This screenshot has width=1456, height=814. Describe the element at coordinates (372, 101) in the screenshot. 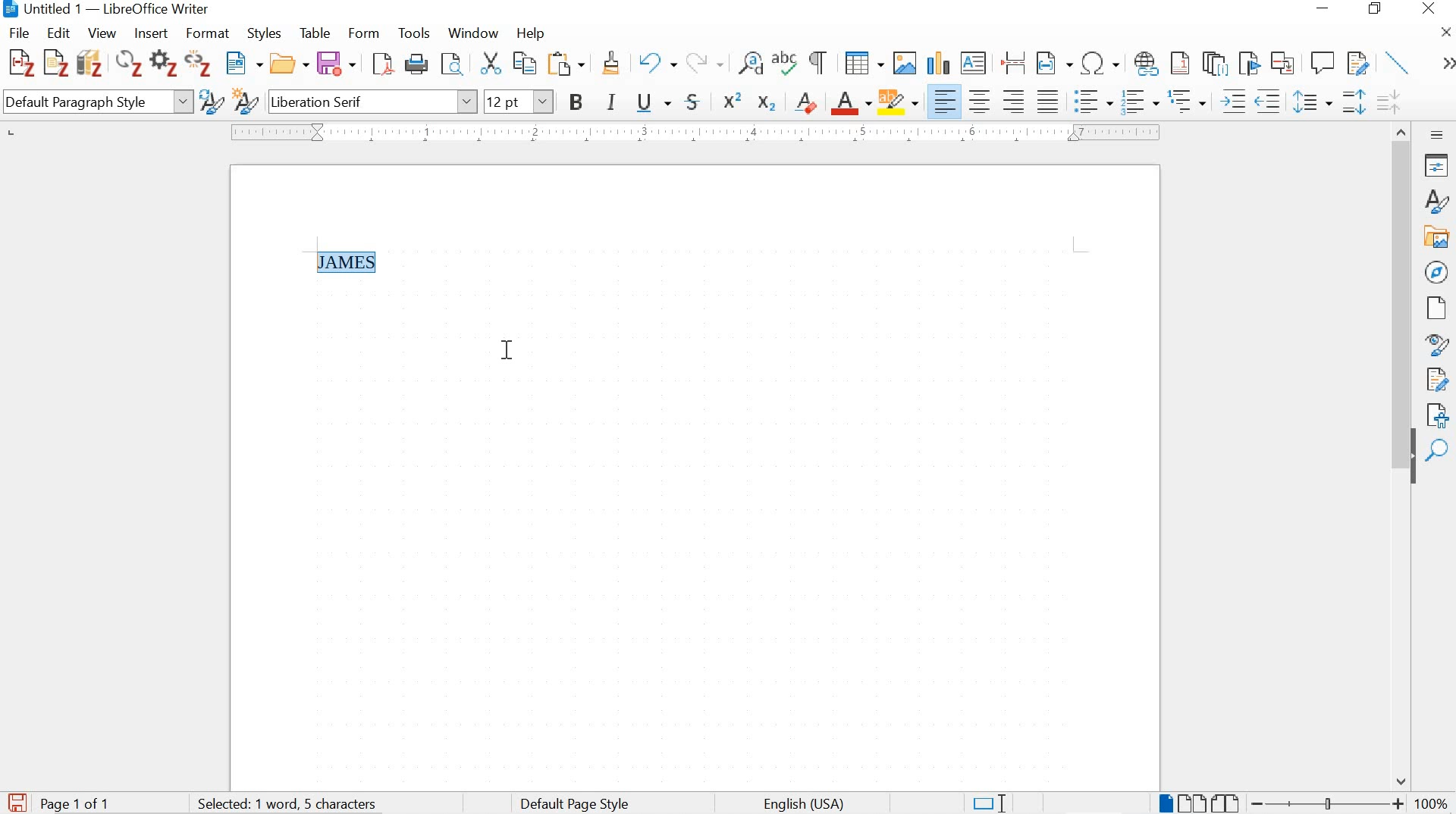

I see `font name` at that location.